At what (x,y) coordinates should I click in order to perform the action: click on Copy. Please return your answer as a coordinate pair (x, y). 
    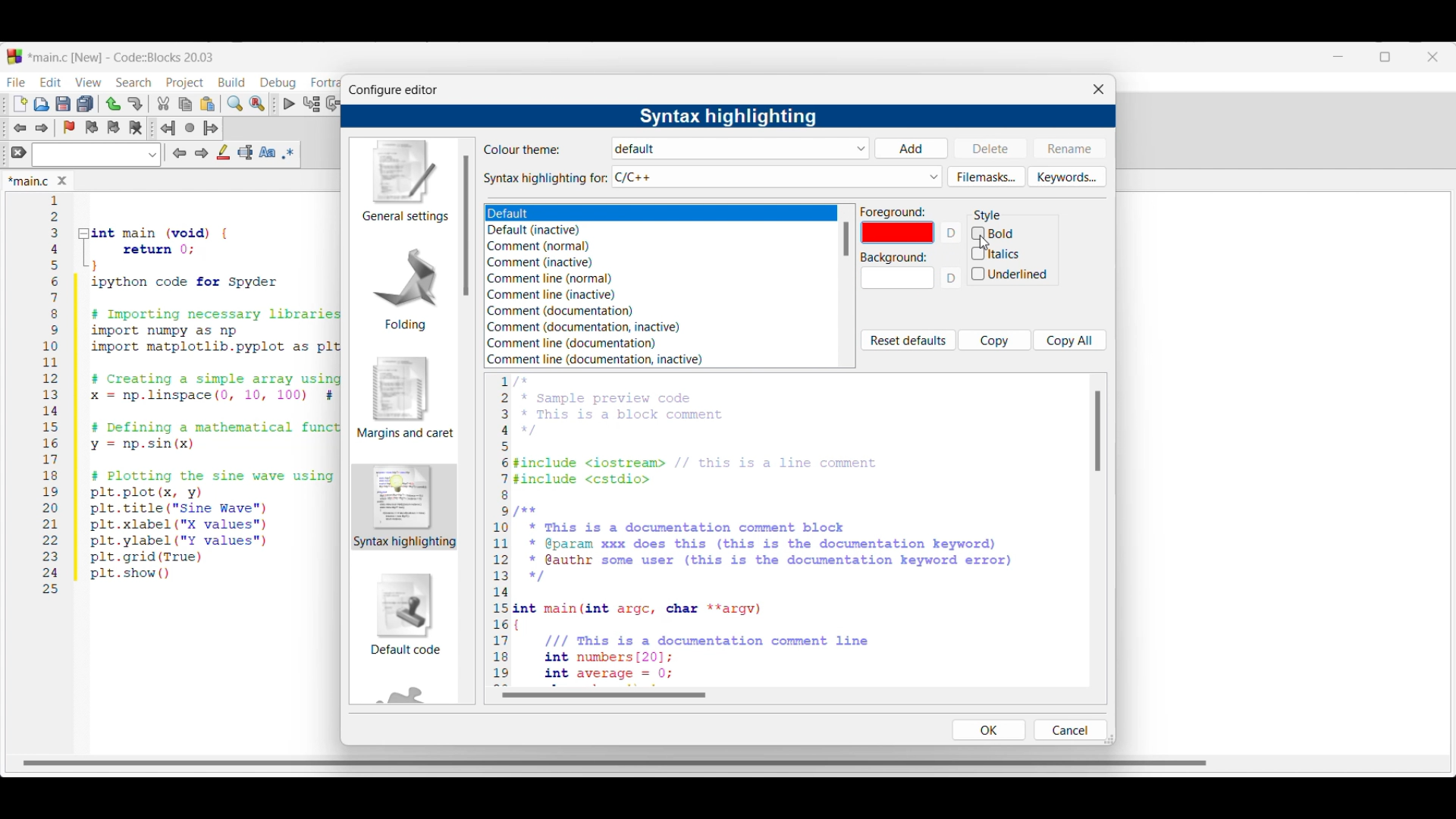
    Looking at the image, I should click on (185, 105).